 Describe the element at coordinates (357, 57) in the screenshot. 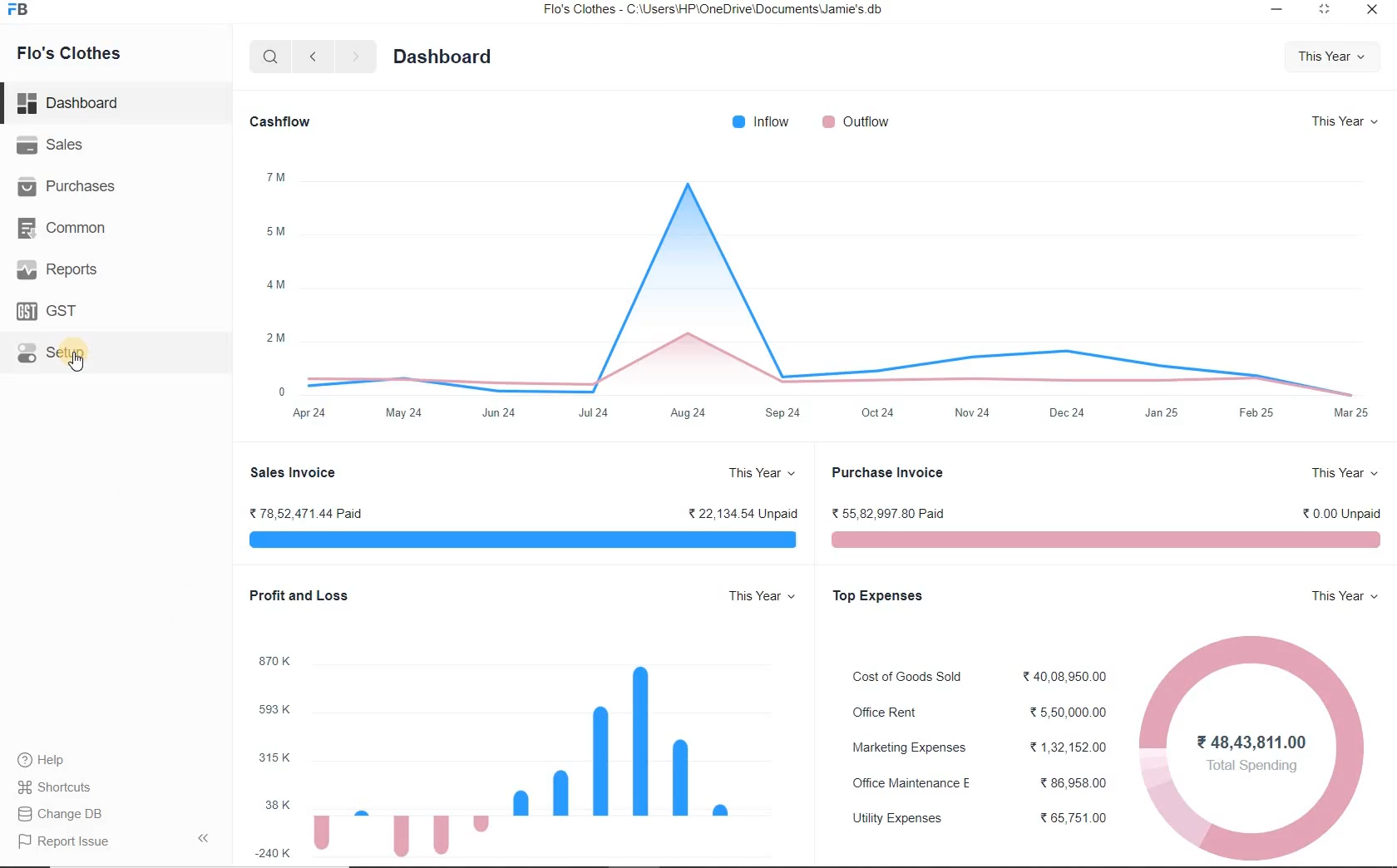

I see `forward` at that location.